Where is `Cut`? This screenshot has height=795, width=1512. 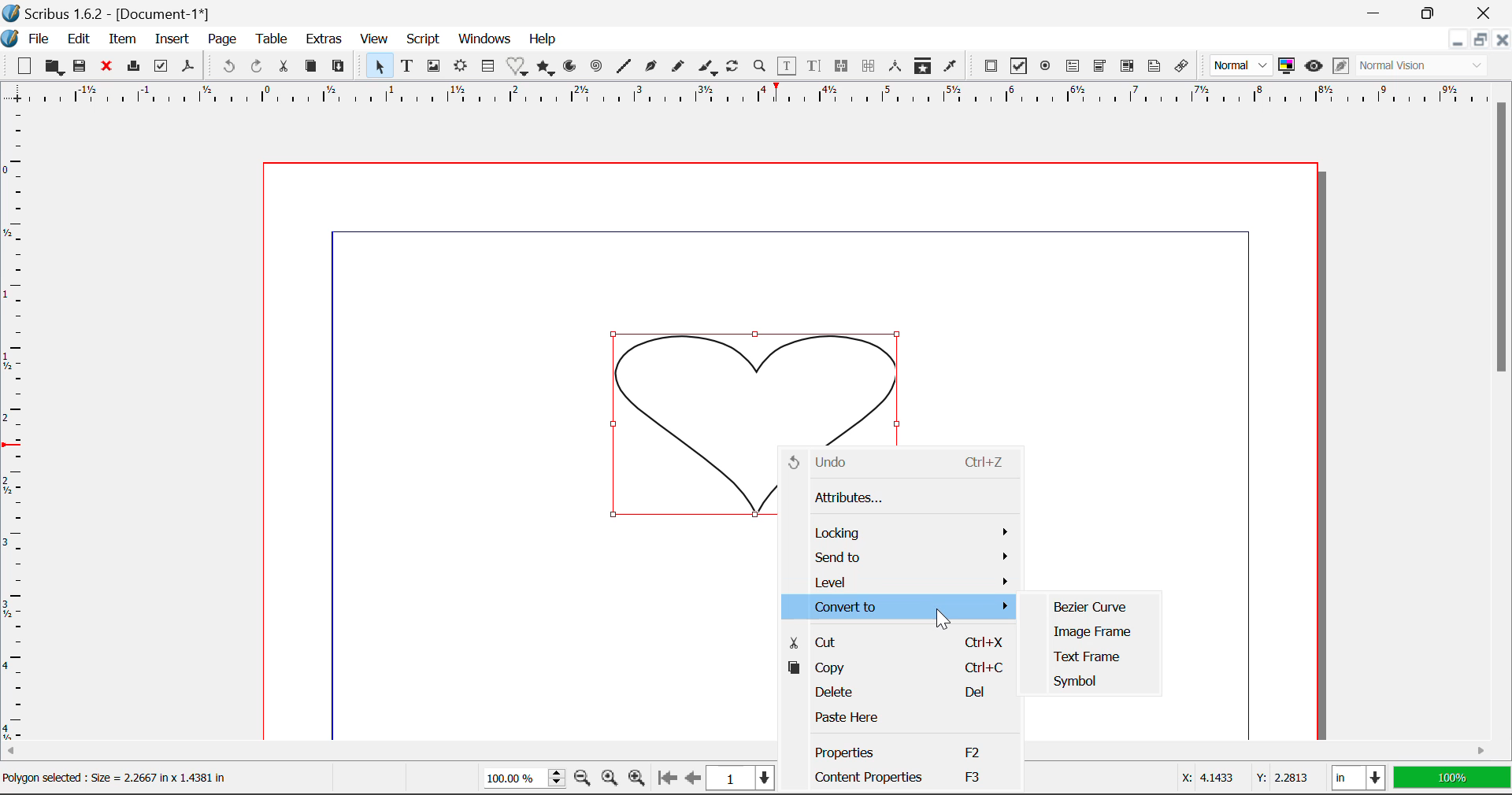
Cut is located at coordinates (287, 65).